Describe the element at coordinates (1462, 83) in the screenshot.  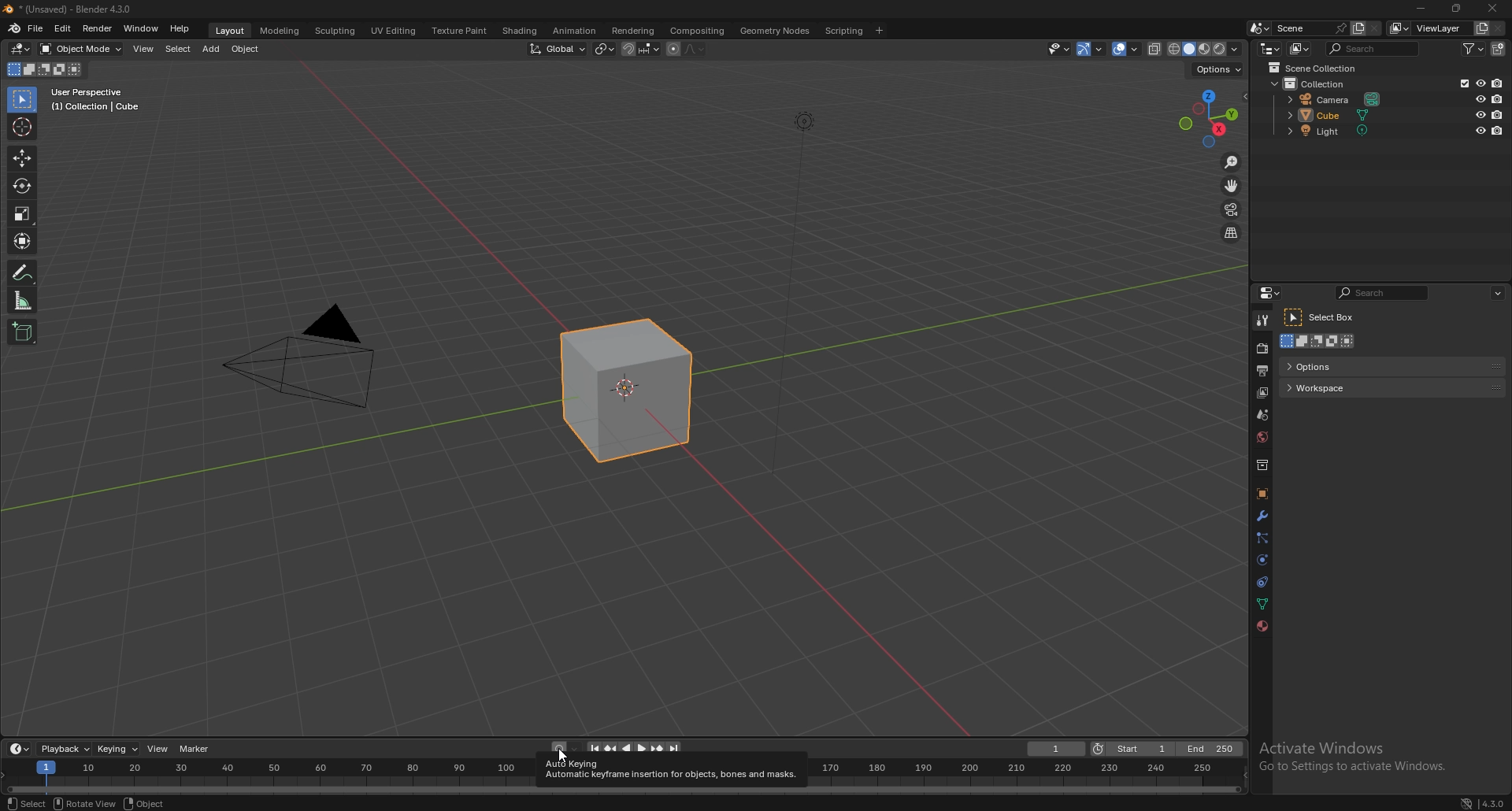
I see `exclude from view layer` at that location.